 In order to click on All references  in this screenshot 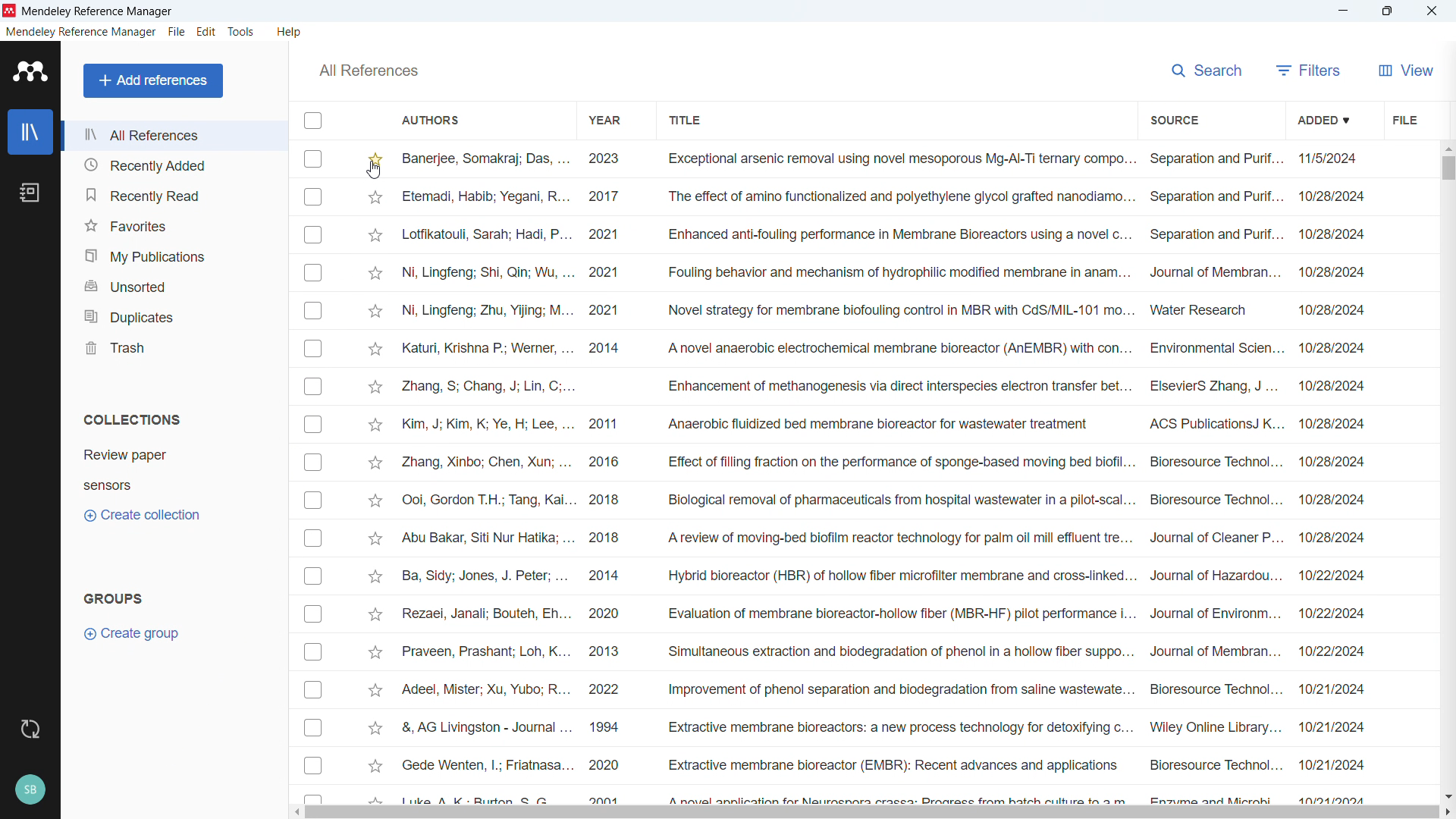, I will do `click(369, 70)`.